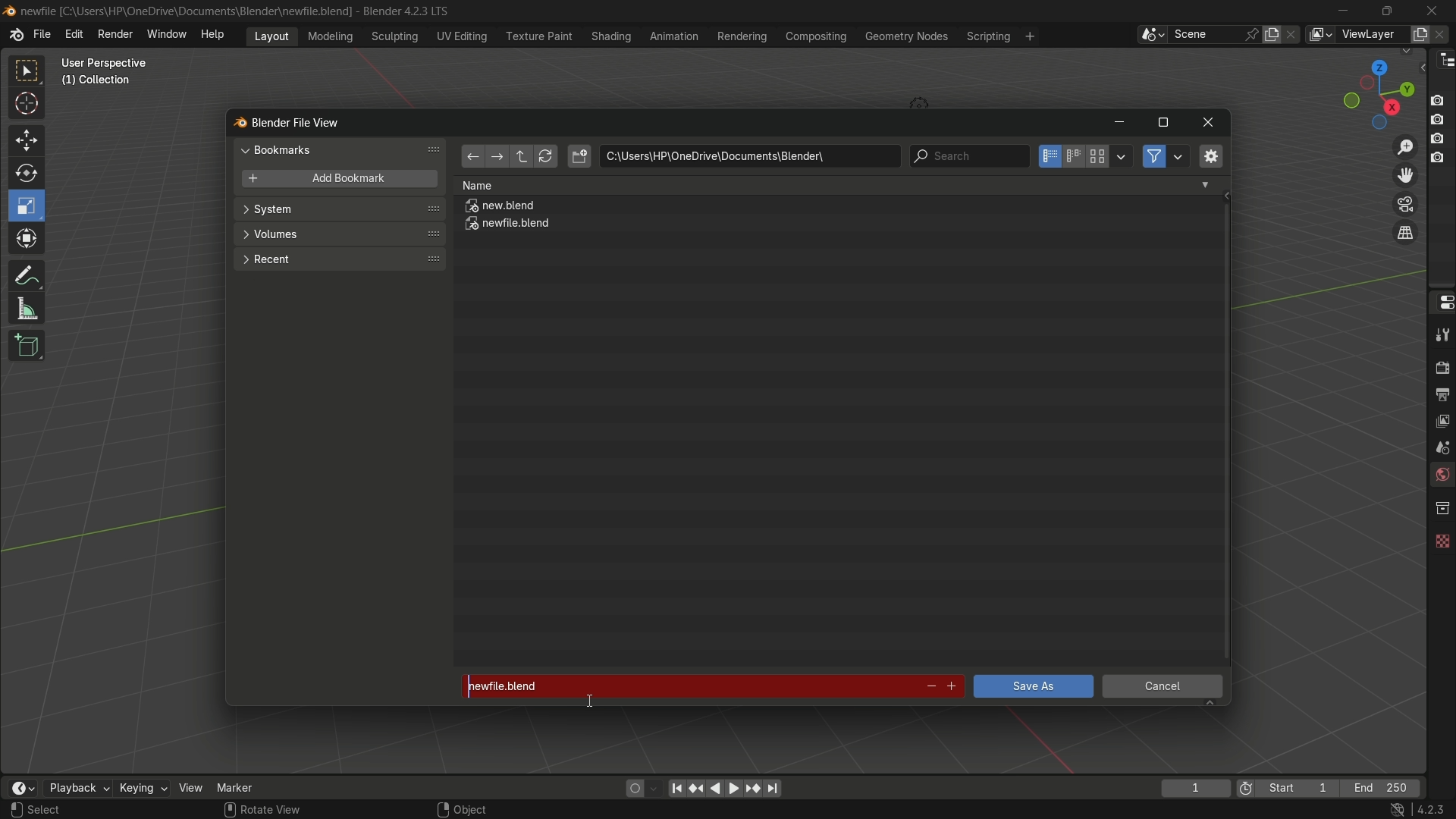 The height and width of the screenshot is (819, 1456). I want to click on select box, so click(28, 71).